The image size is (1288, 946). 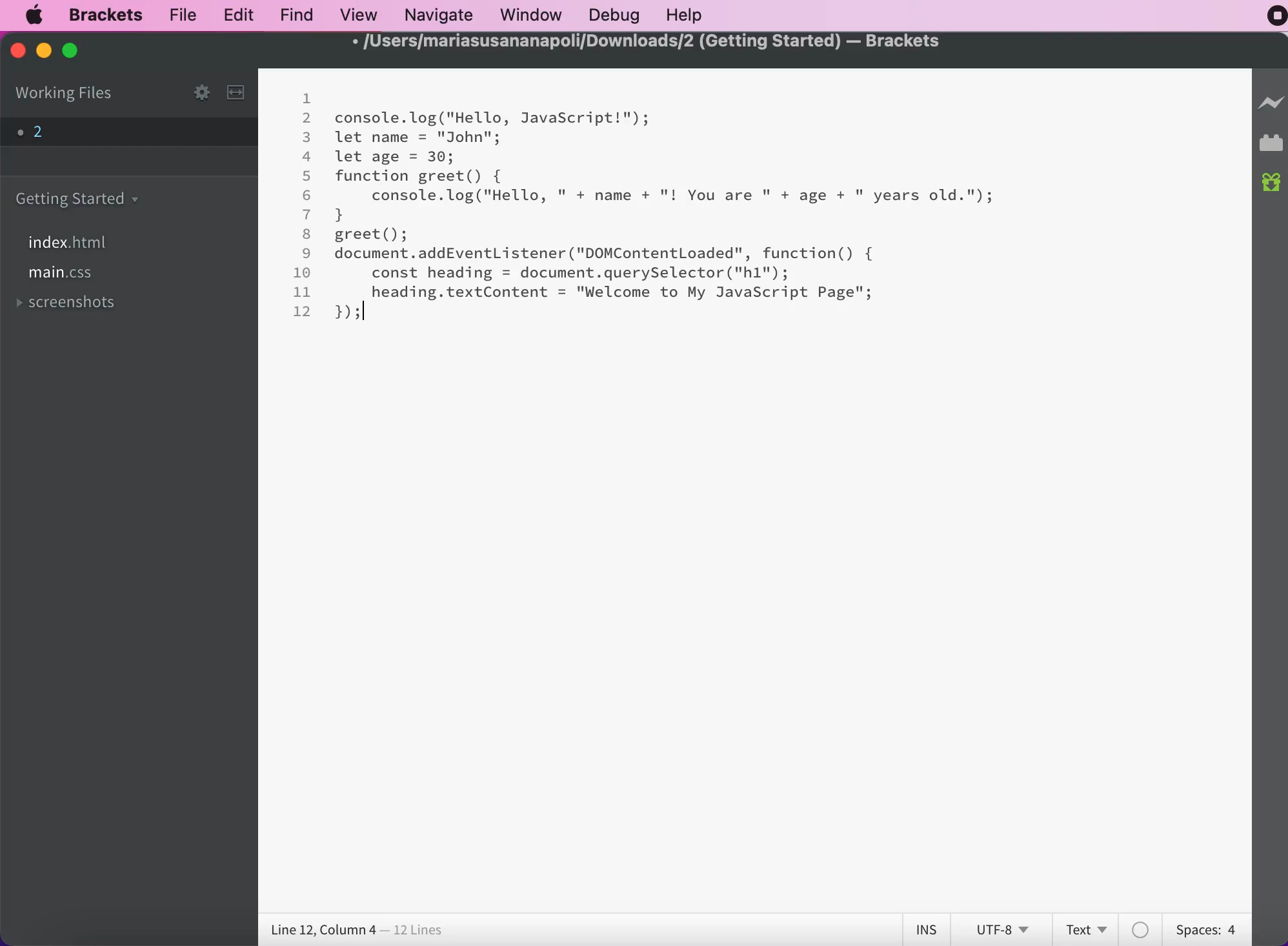 I want to click on 2, so click(x=308, y=119).